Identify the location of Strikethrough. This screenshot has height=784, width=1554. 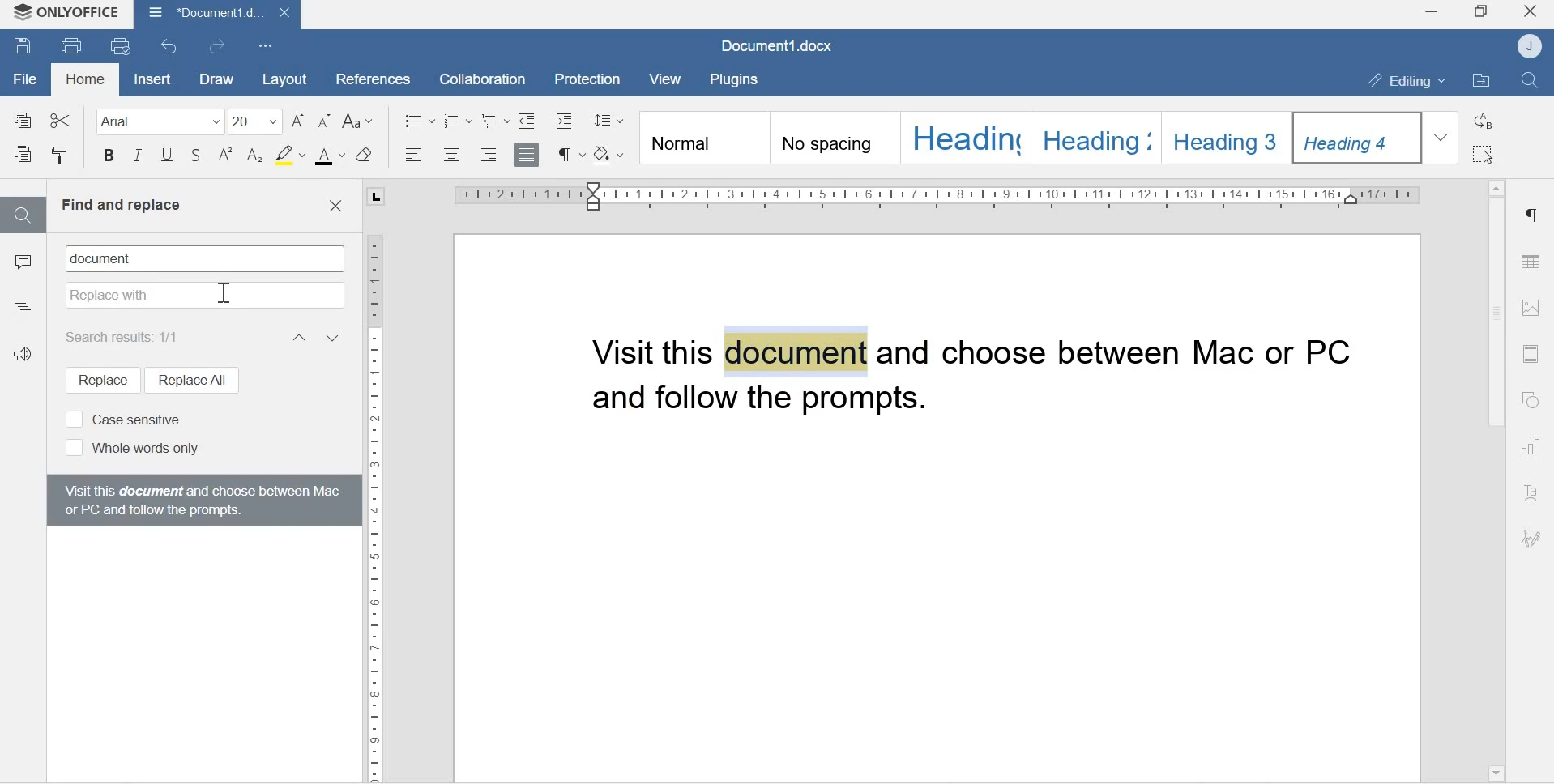
(197, 157).